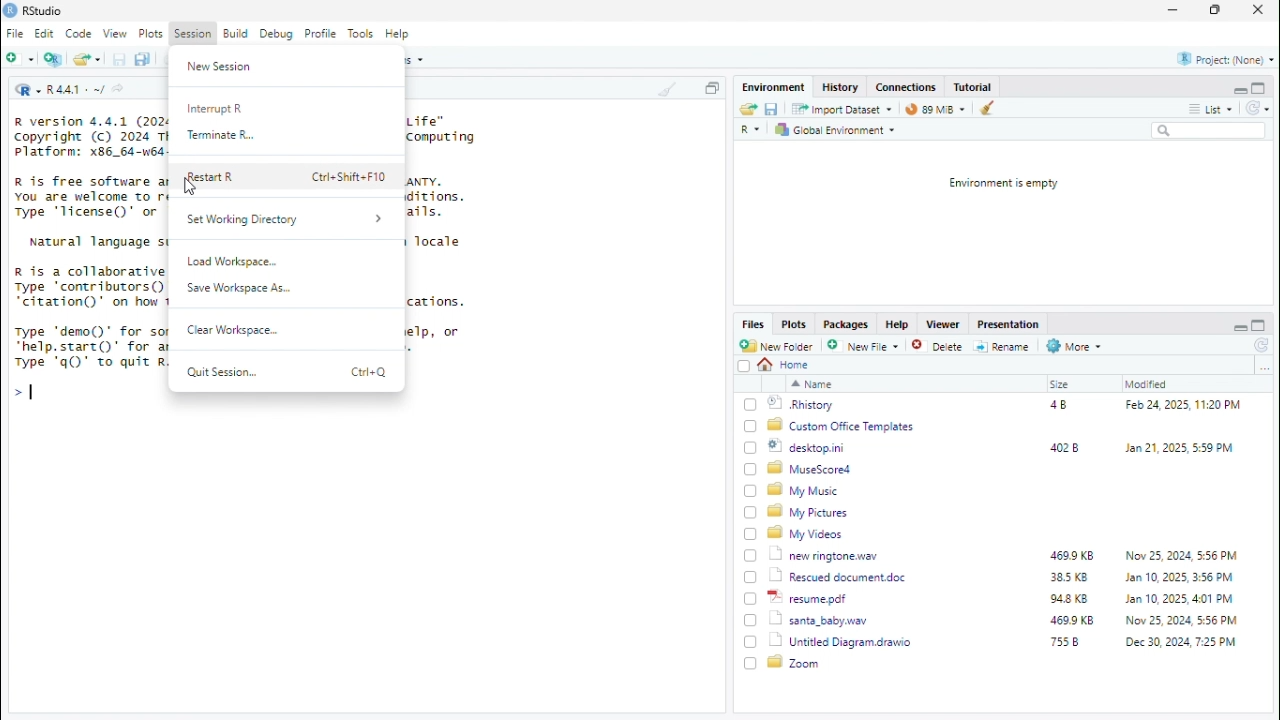 The height and width of the screenshot is (720, 1280). What do you see at coordinates (1004, 447) in the screenshot?
I see `desktop.ini 402B Jan 21, 2025, 5:59 PM` at bounding box center [1004, 447].